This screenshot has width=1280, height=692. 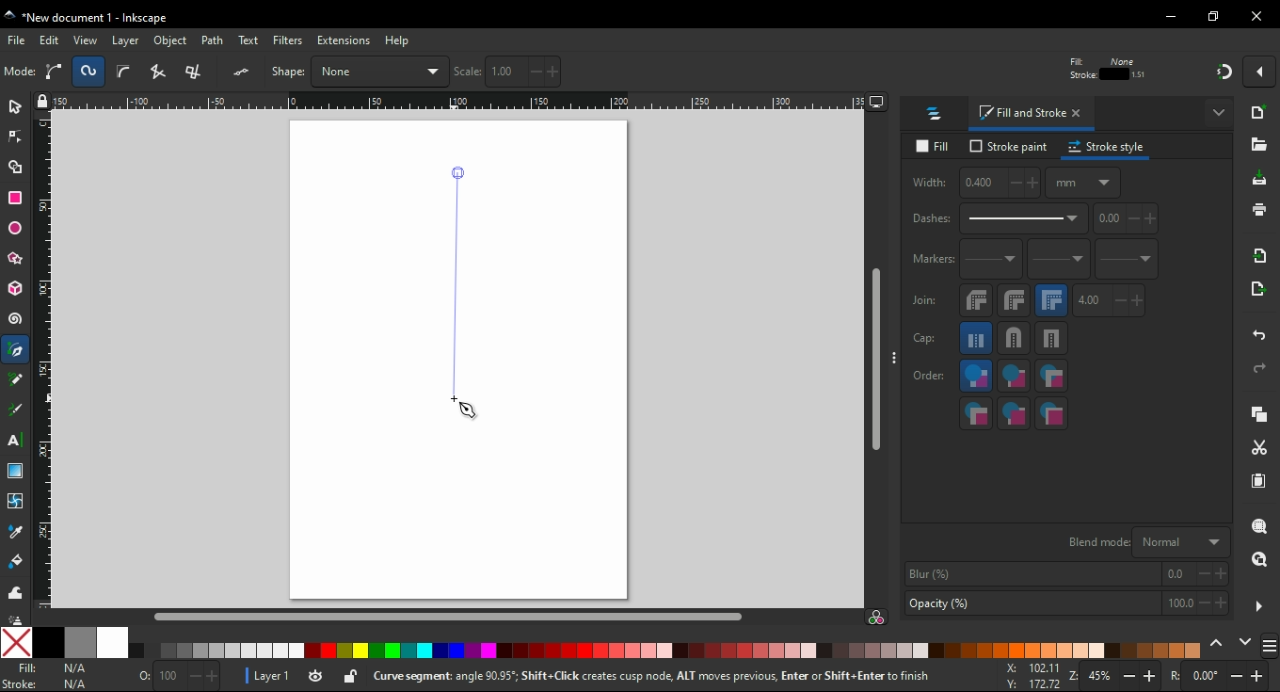 What do you see at coordinates (124, 72) in the screenshot?
I see `toggle selection box to select all touched objects ` at bounding box center [124, 72].